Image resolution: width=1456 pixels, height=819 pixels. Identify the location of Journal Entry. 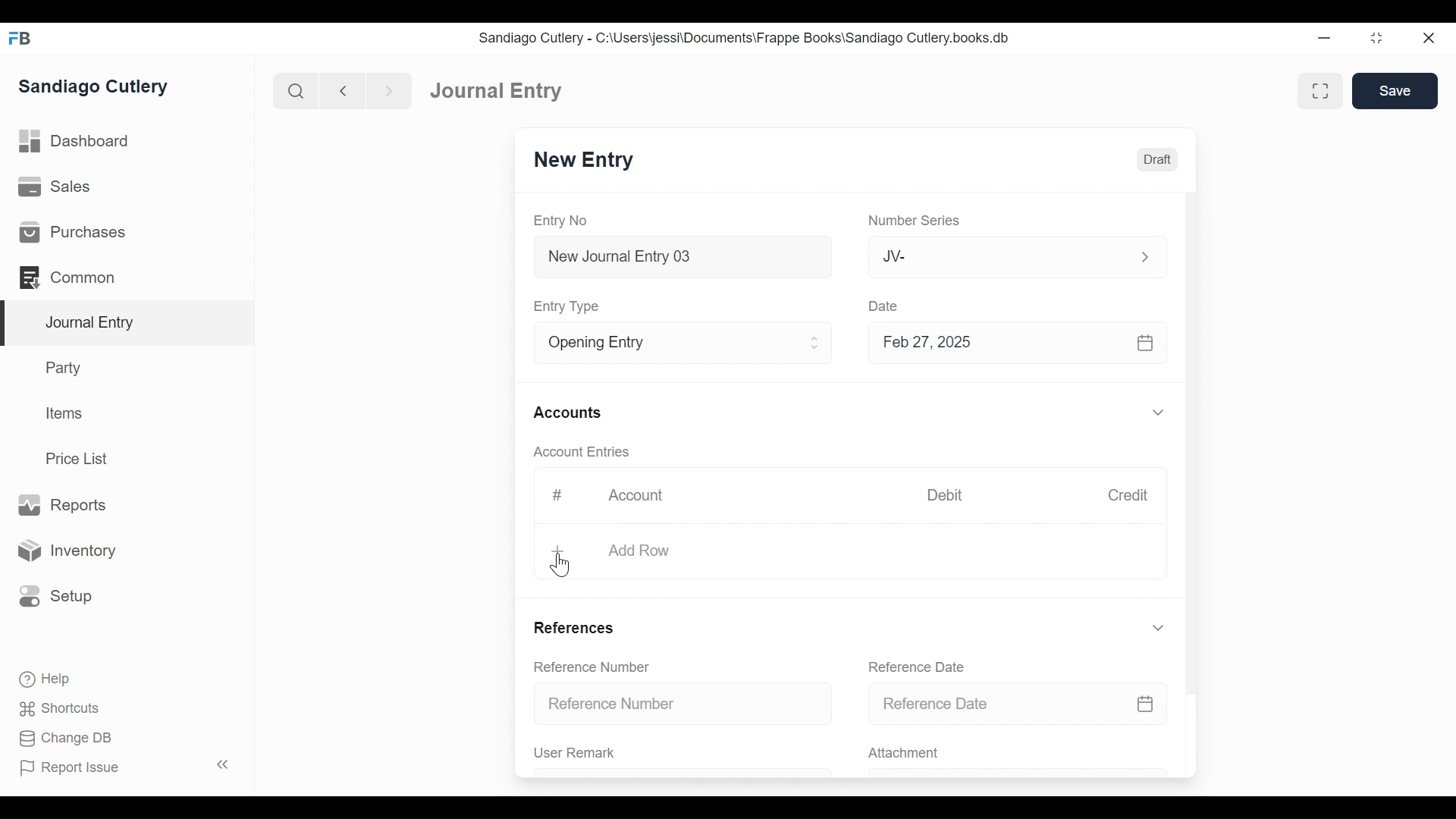
(498, 91).